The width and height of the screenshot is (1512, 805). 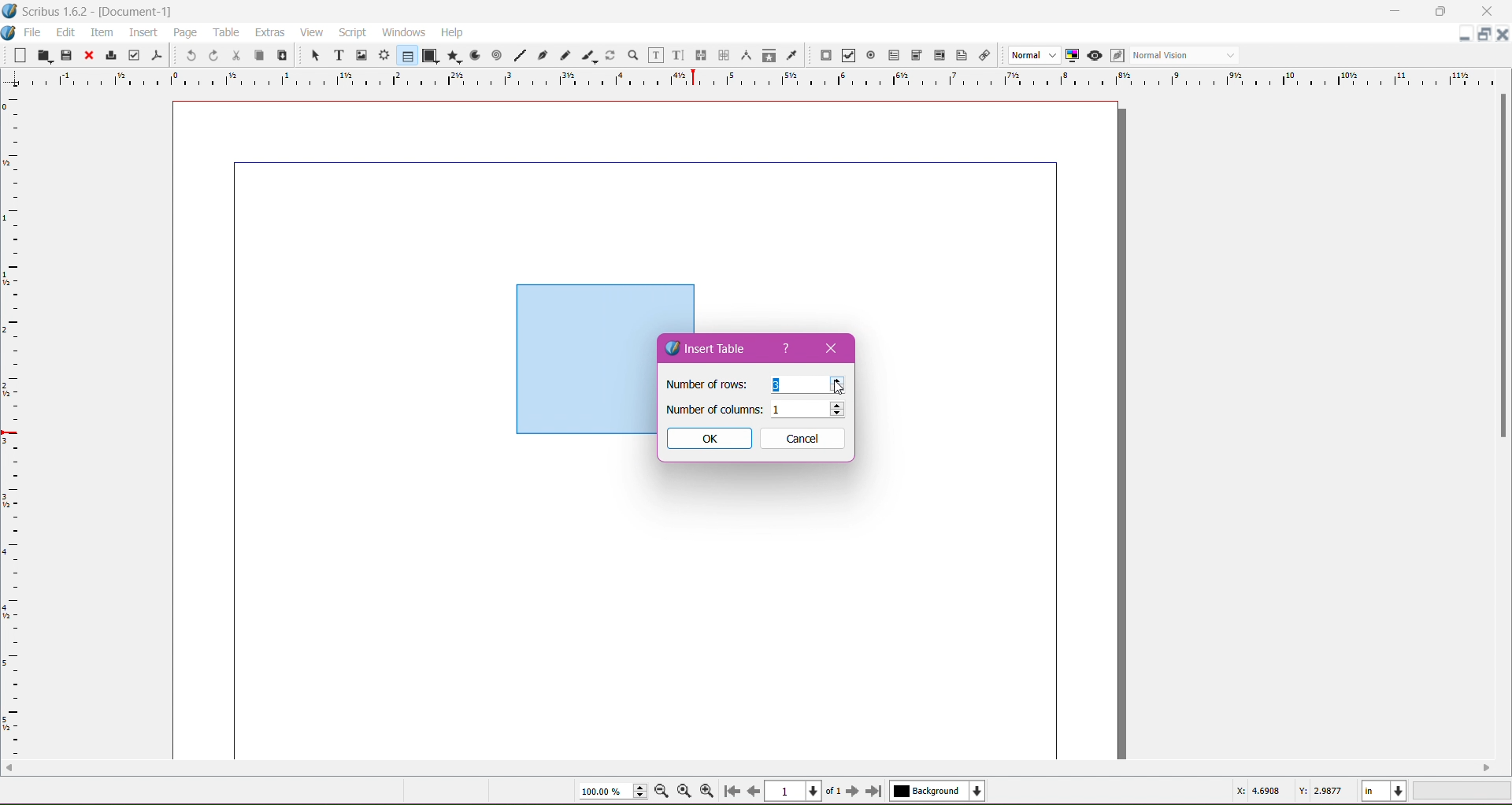 I want to click on Polygon, so click(x=451, y=55).